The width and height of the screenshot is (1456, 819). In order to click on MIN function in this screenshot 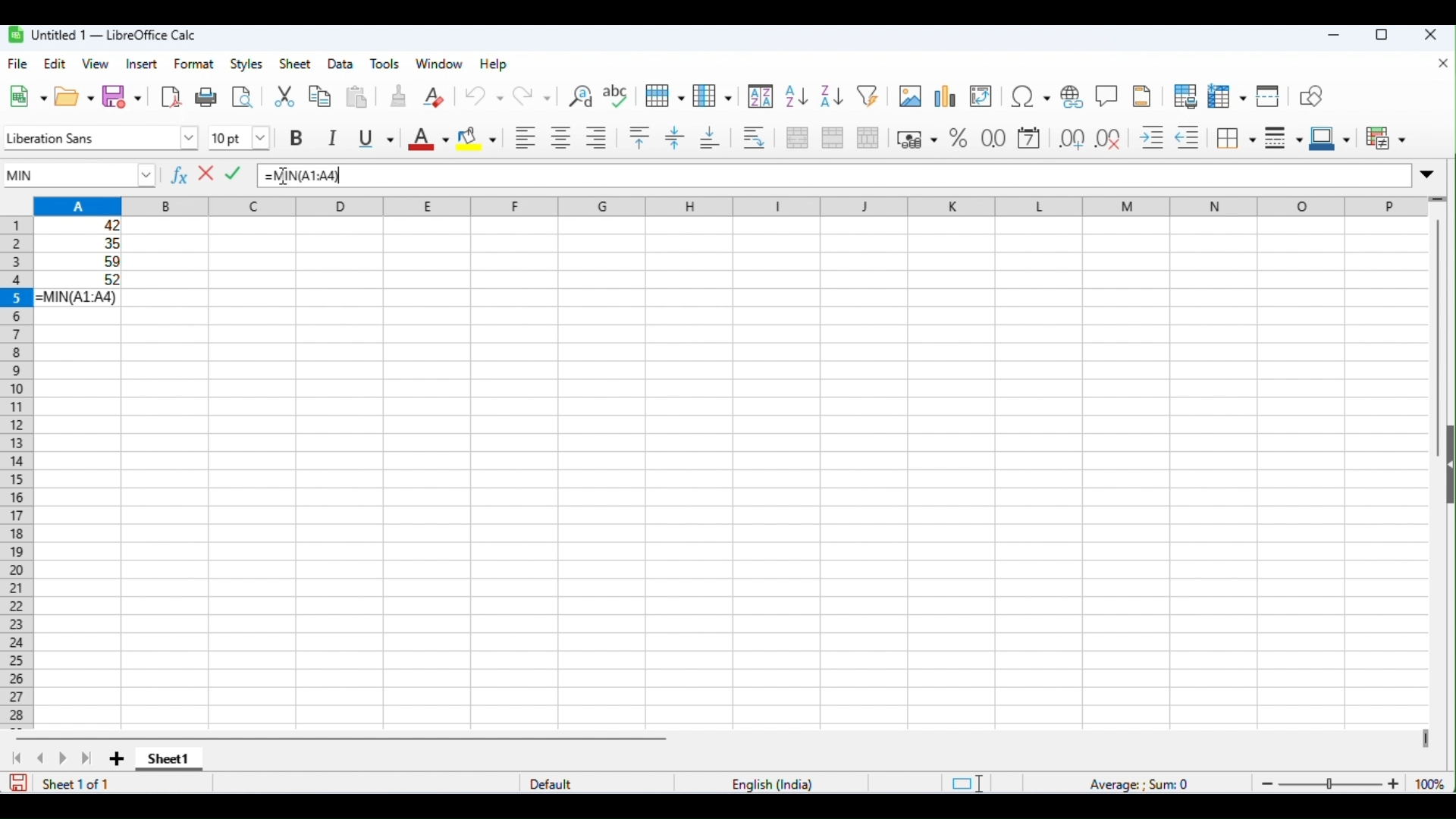, I will do `click(83, 176)`.